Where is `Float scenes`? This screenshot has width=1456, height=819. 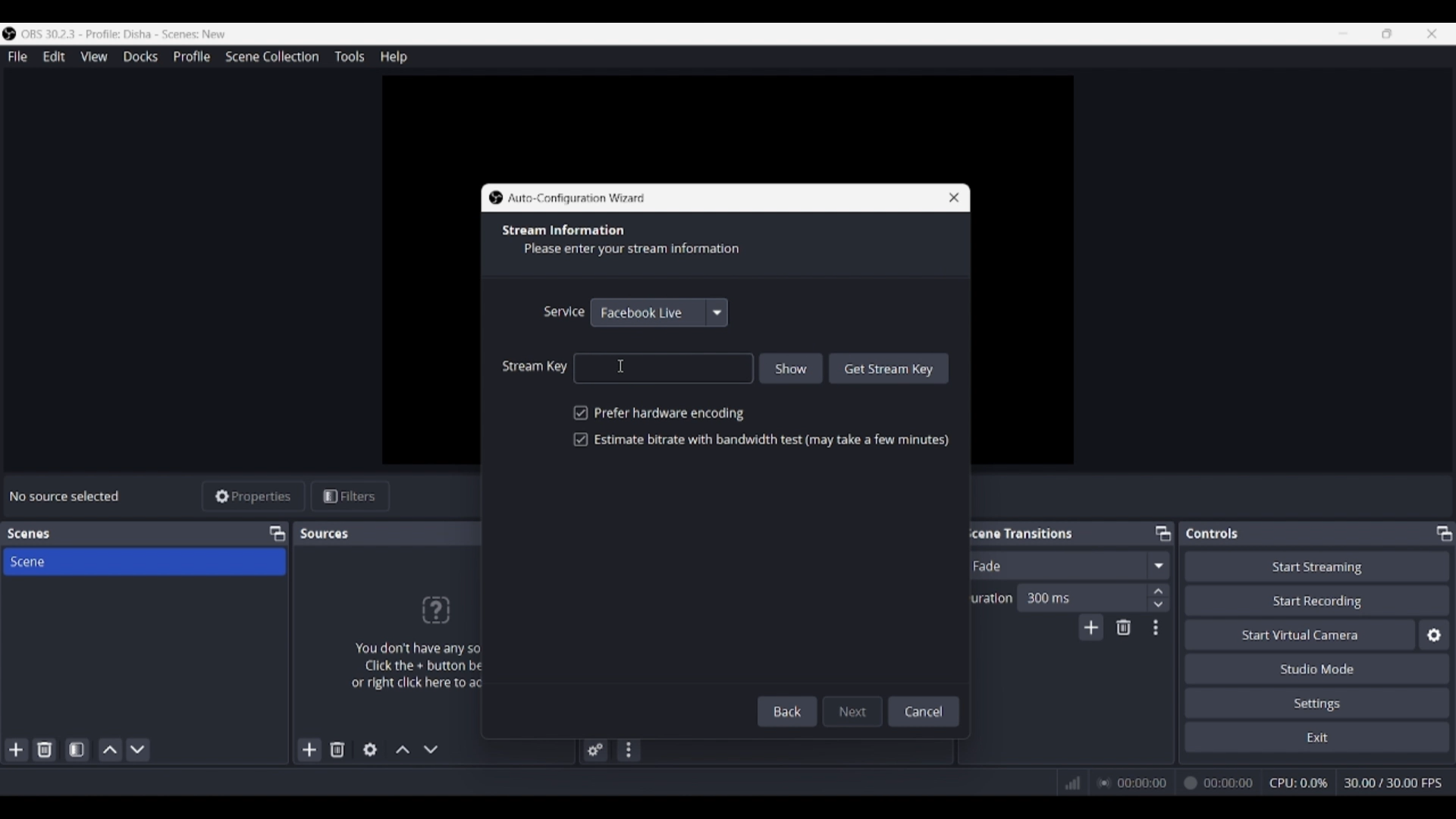
Float scenes is located at coordinates (277, 534).